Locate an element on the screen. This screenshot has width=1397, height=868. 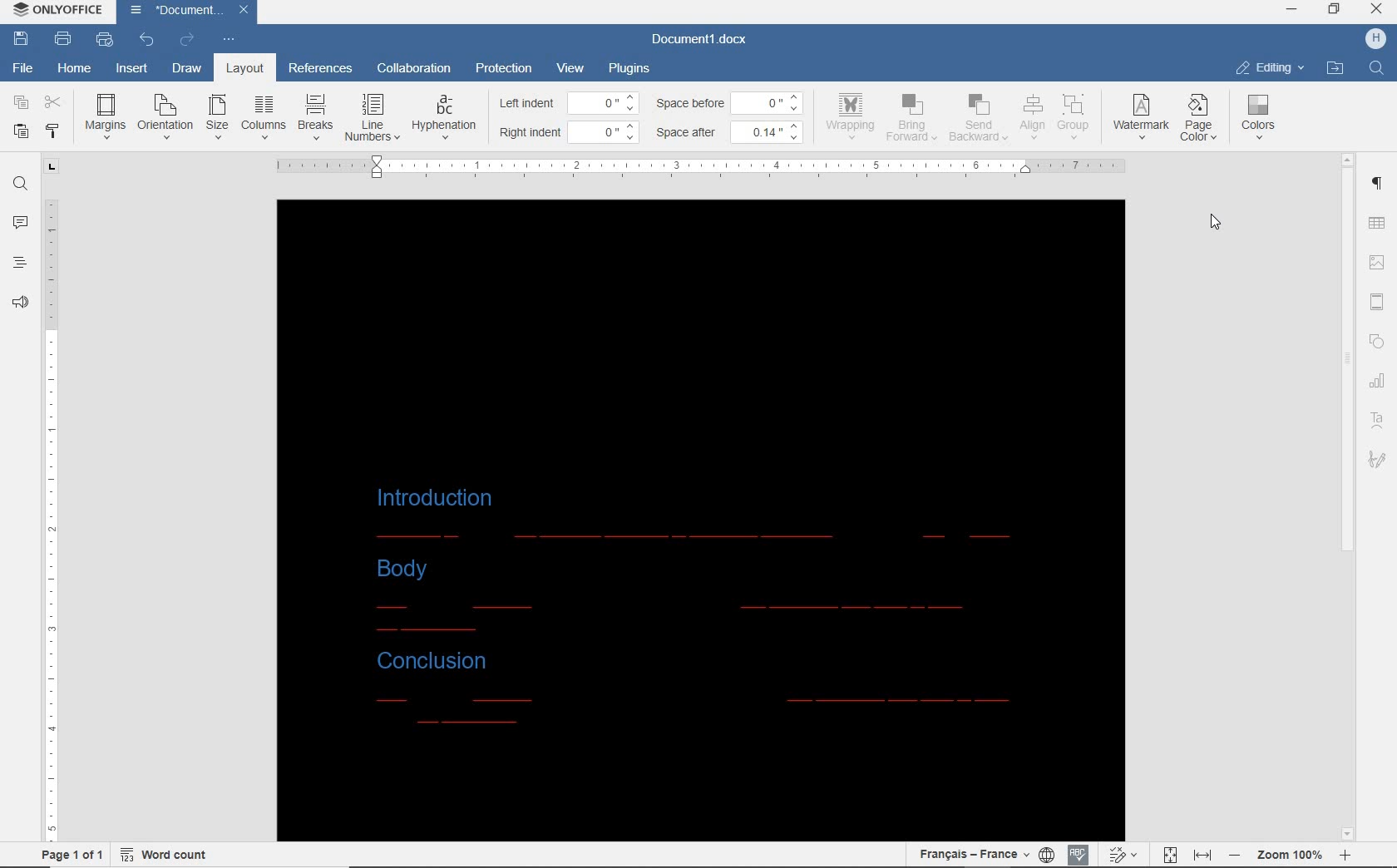
cut is located at coordinates (54, 101).